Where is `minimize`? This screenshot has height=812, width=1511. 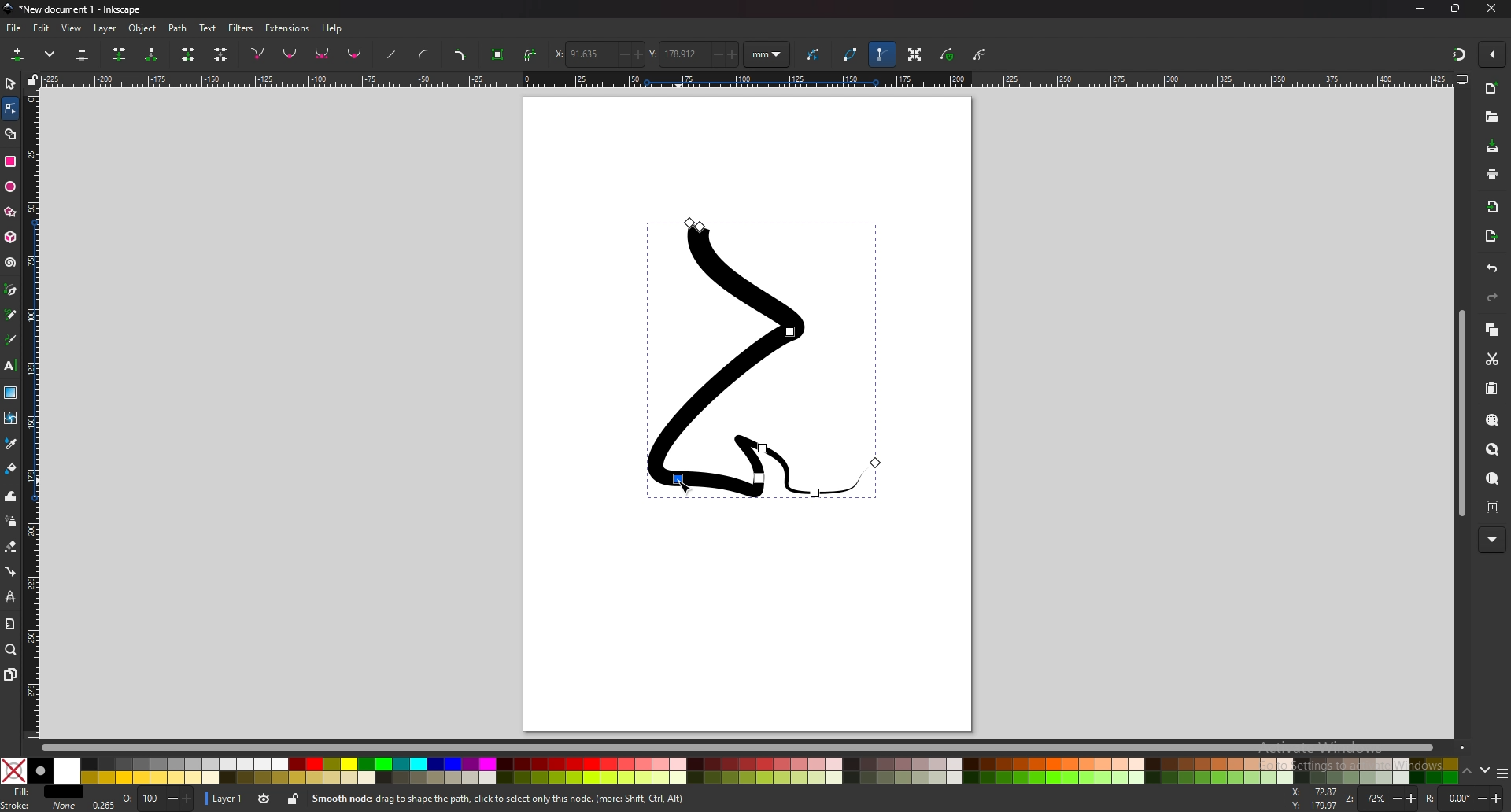
minimize is located at coordinates (1420, 9).